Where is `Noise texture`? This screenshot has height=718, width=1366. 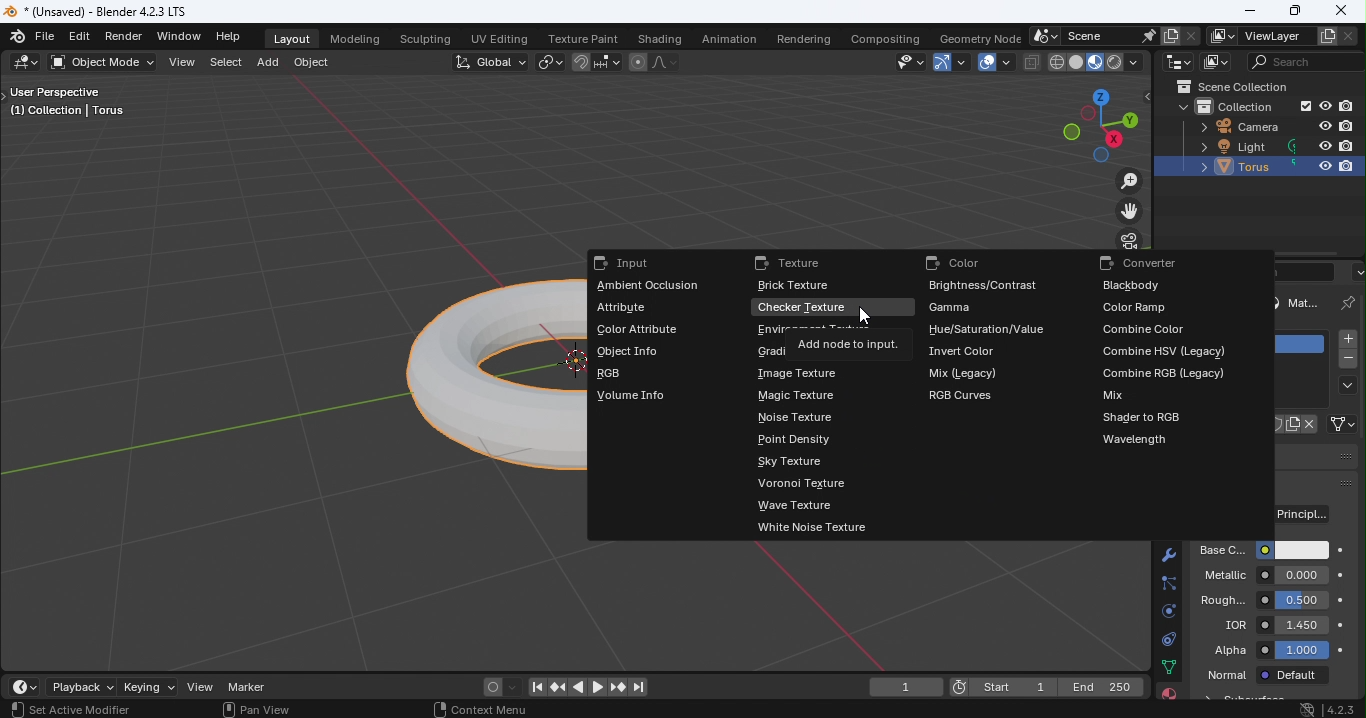
Noise texture is located at coordinates (795, 417).